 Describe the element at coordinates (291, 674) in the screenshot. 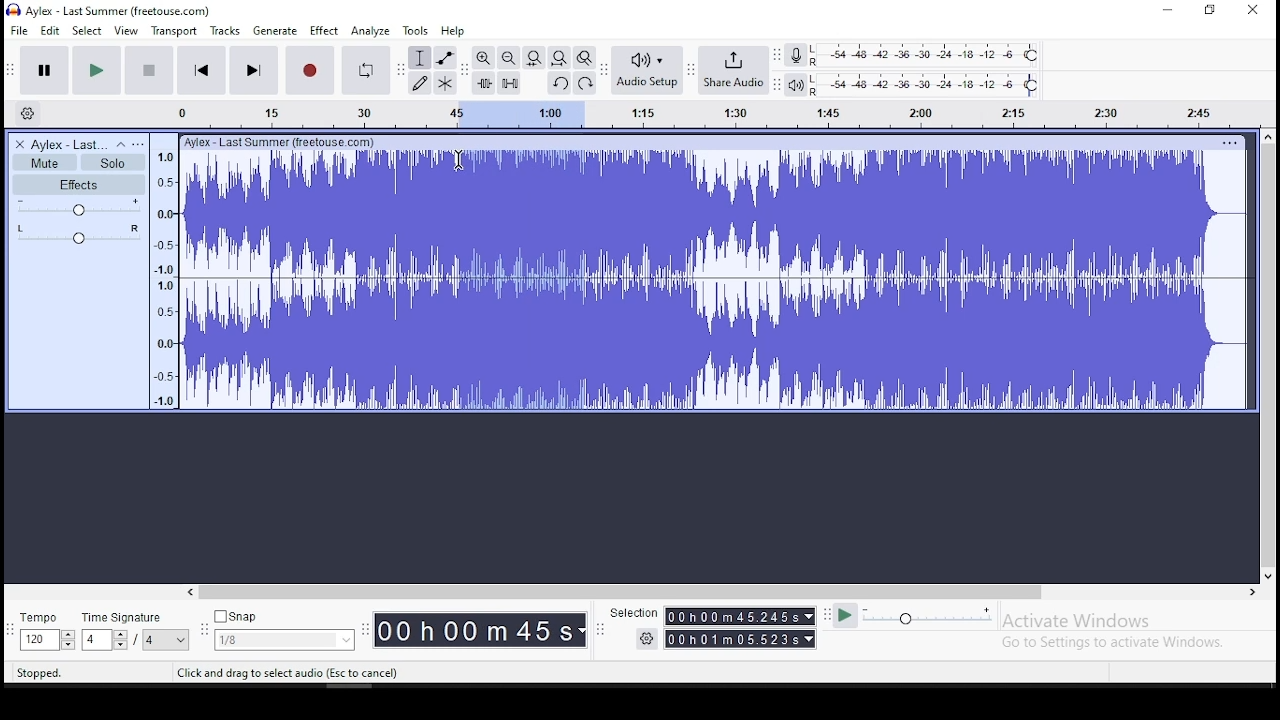

I see `Chick and drag to select audio 9esc to cancel0` at that location.